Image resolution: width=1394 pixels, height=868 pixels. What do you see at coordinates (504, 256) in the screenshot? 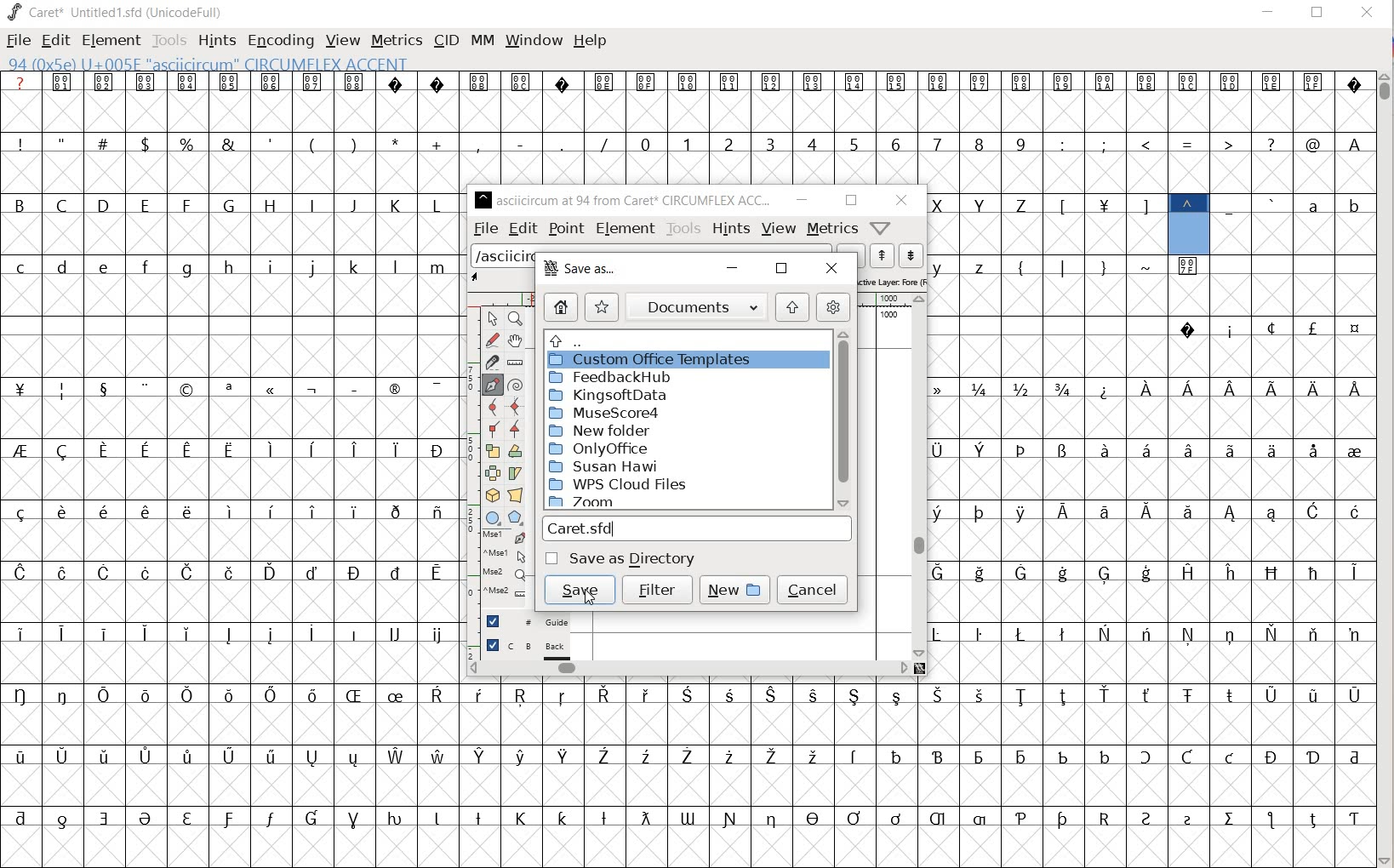
I see `load word list` at bounding box center [504, 256].